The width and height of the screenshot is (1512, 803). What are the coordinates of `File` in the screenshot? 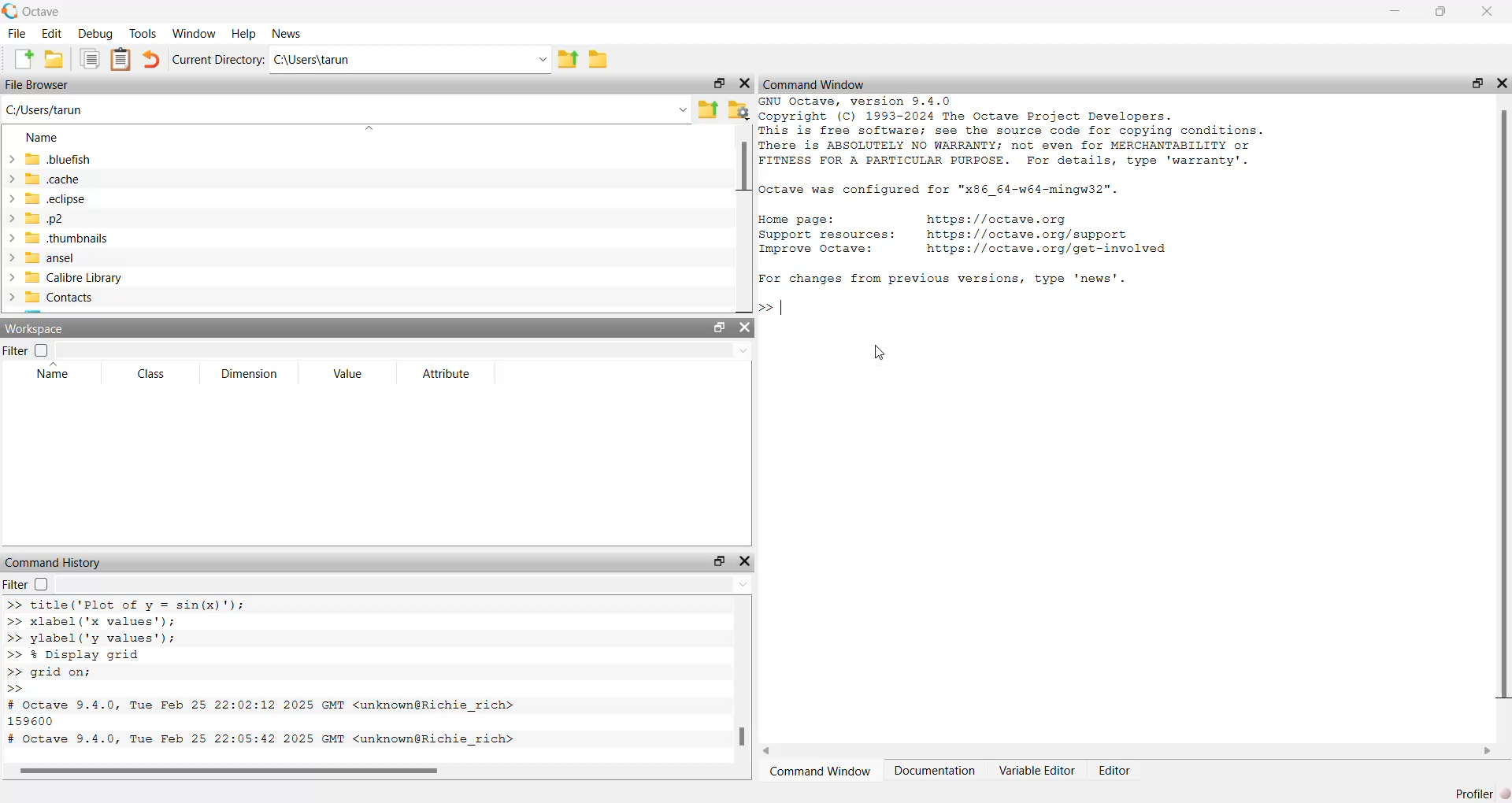 It's located at (17, 33).